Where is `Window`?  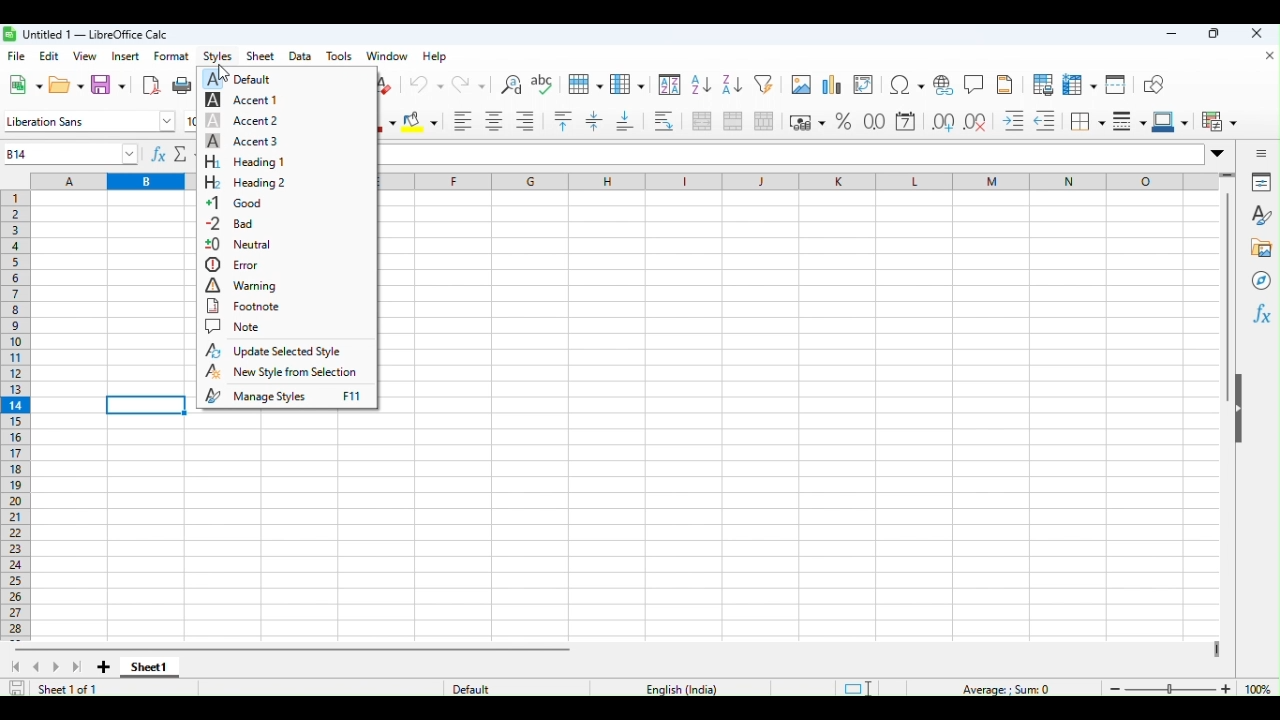
Window is located at coordinates (387, 55).